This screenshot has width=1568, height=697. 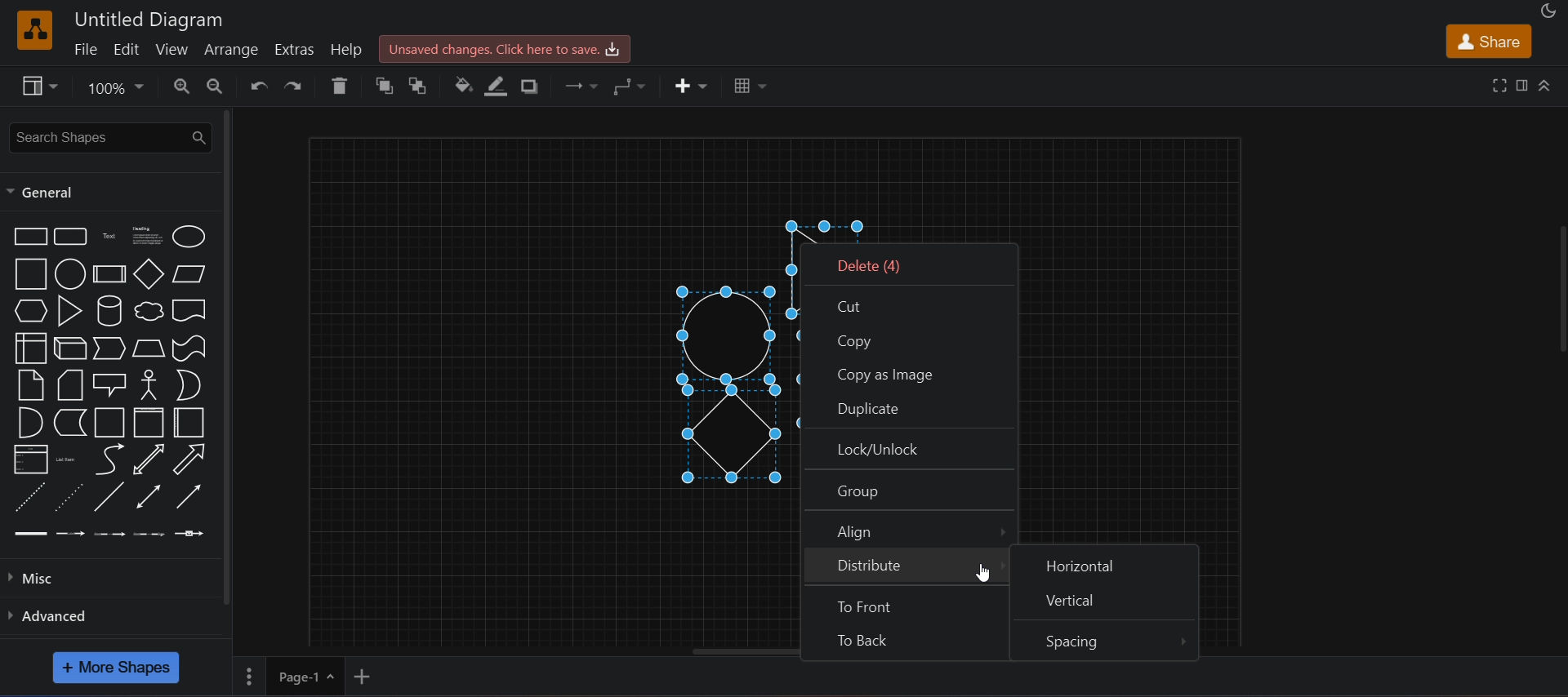 I want to click on hexagon, so click(x=28, y=311).